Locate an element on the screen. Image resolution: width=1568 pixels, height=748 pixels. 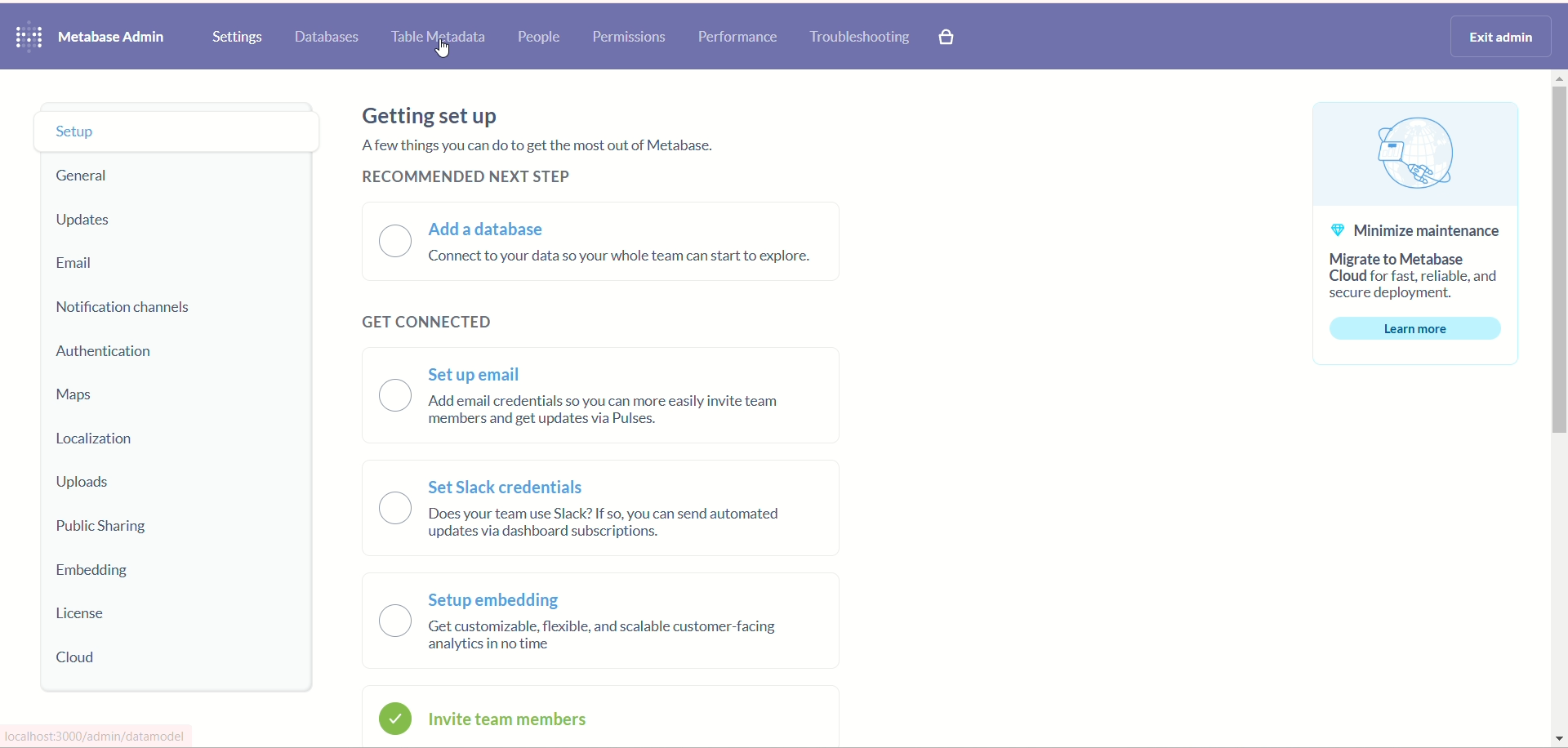
settings is located at coordinates (238, 38).